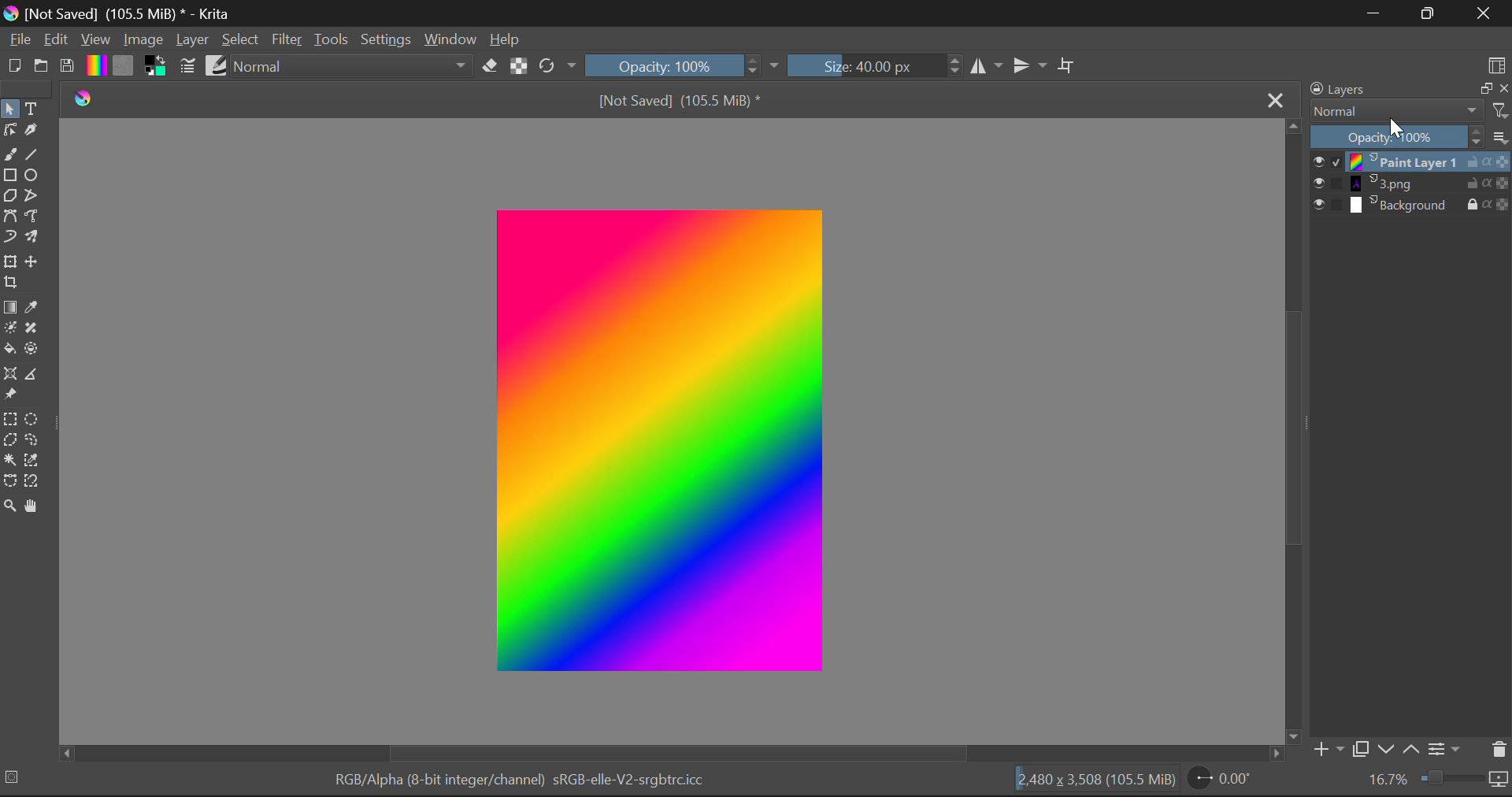 This screenshot has width=1512, height=797. What do you see at coordinates (335, 39) in the screenshot?
I see `Tools` at bounding box center [335, 39].